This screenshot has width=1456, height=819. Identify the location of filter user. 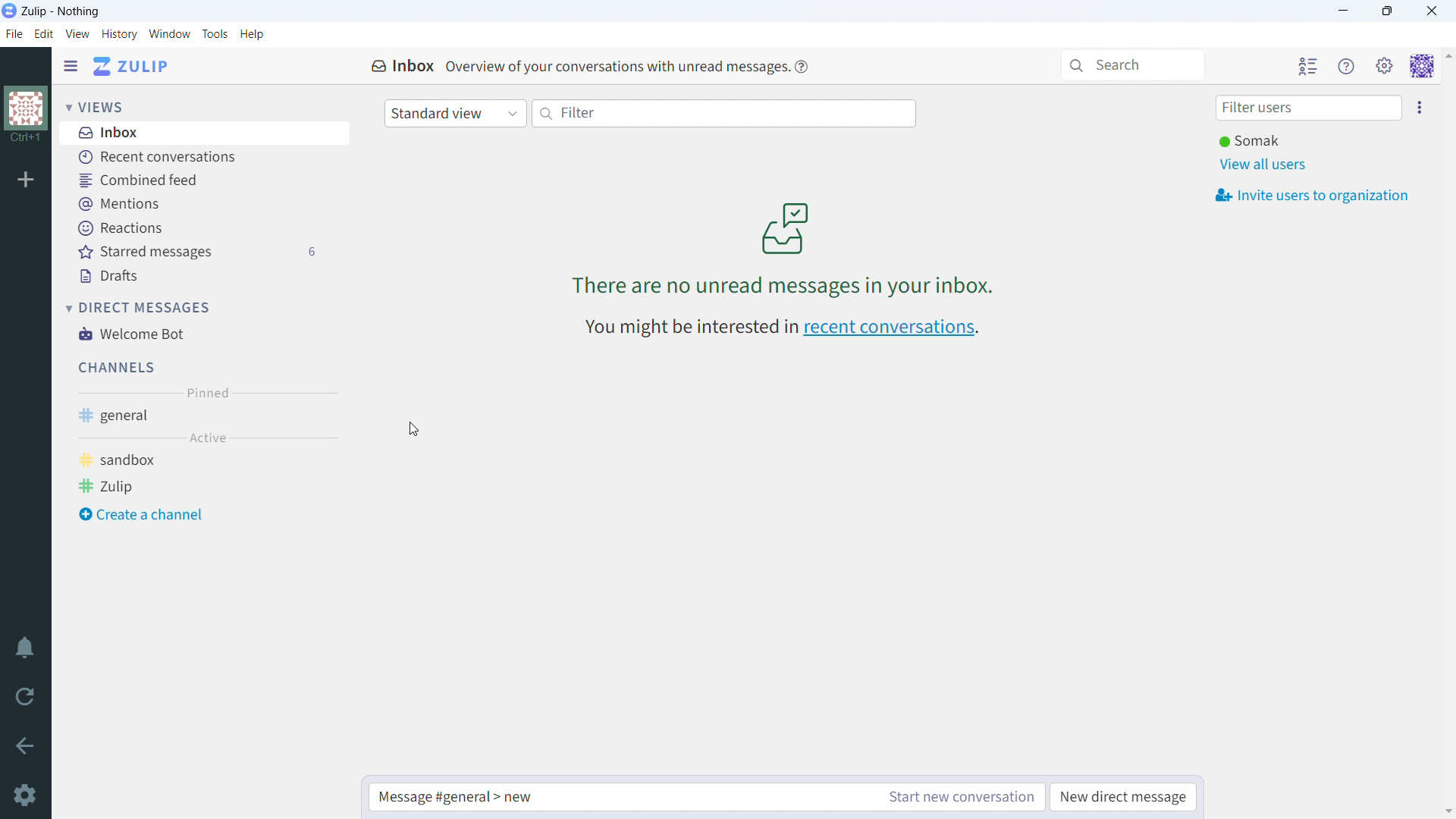
(1308, 108).